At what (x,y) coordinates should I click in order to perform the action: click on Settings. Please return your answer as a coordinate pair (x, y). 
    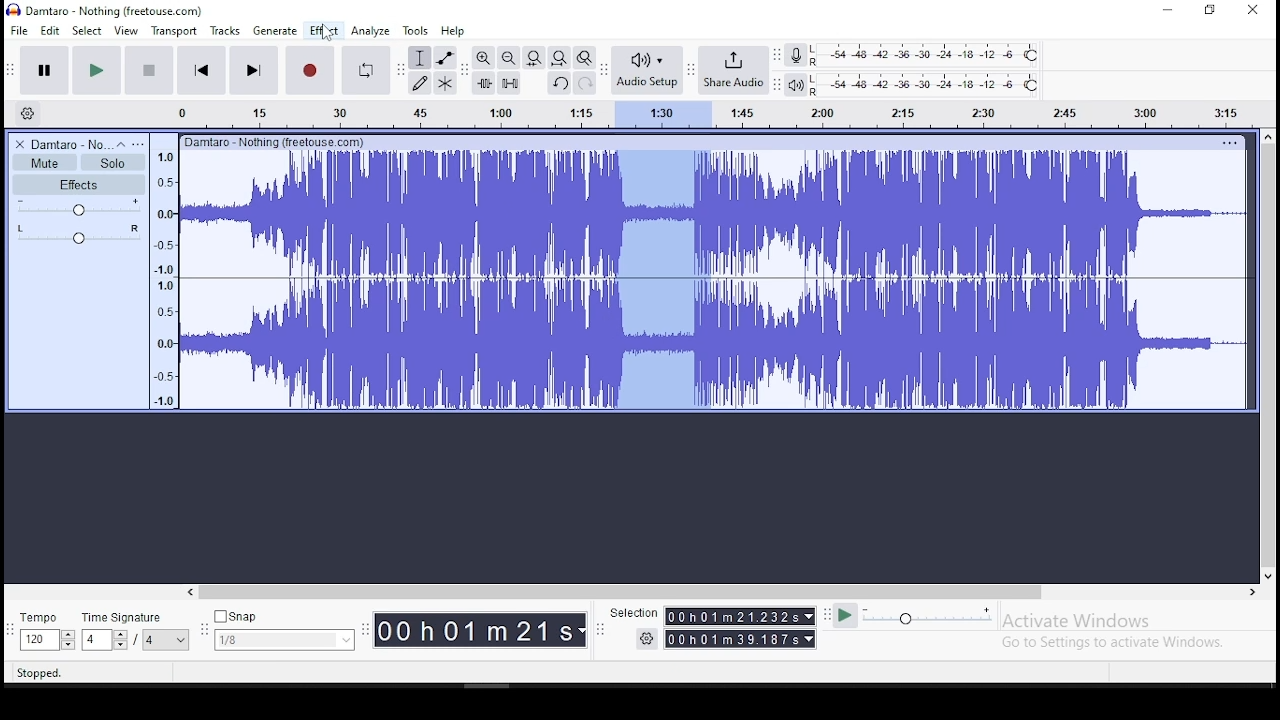
    Looking at the image, I should click on (648, 638).